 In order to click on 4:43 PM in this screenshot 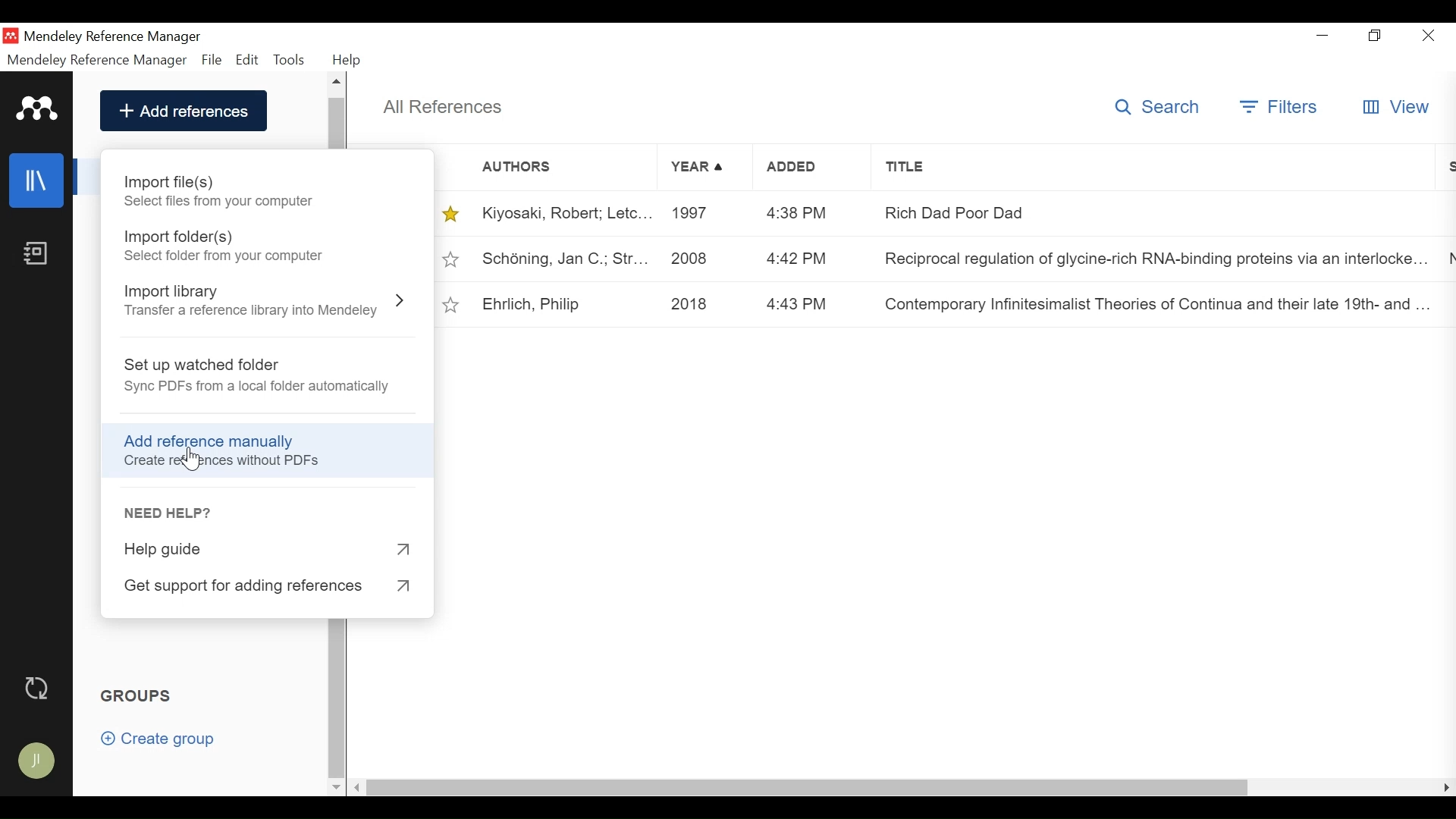, I will do `click(797, 301)`.